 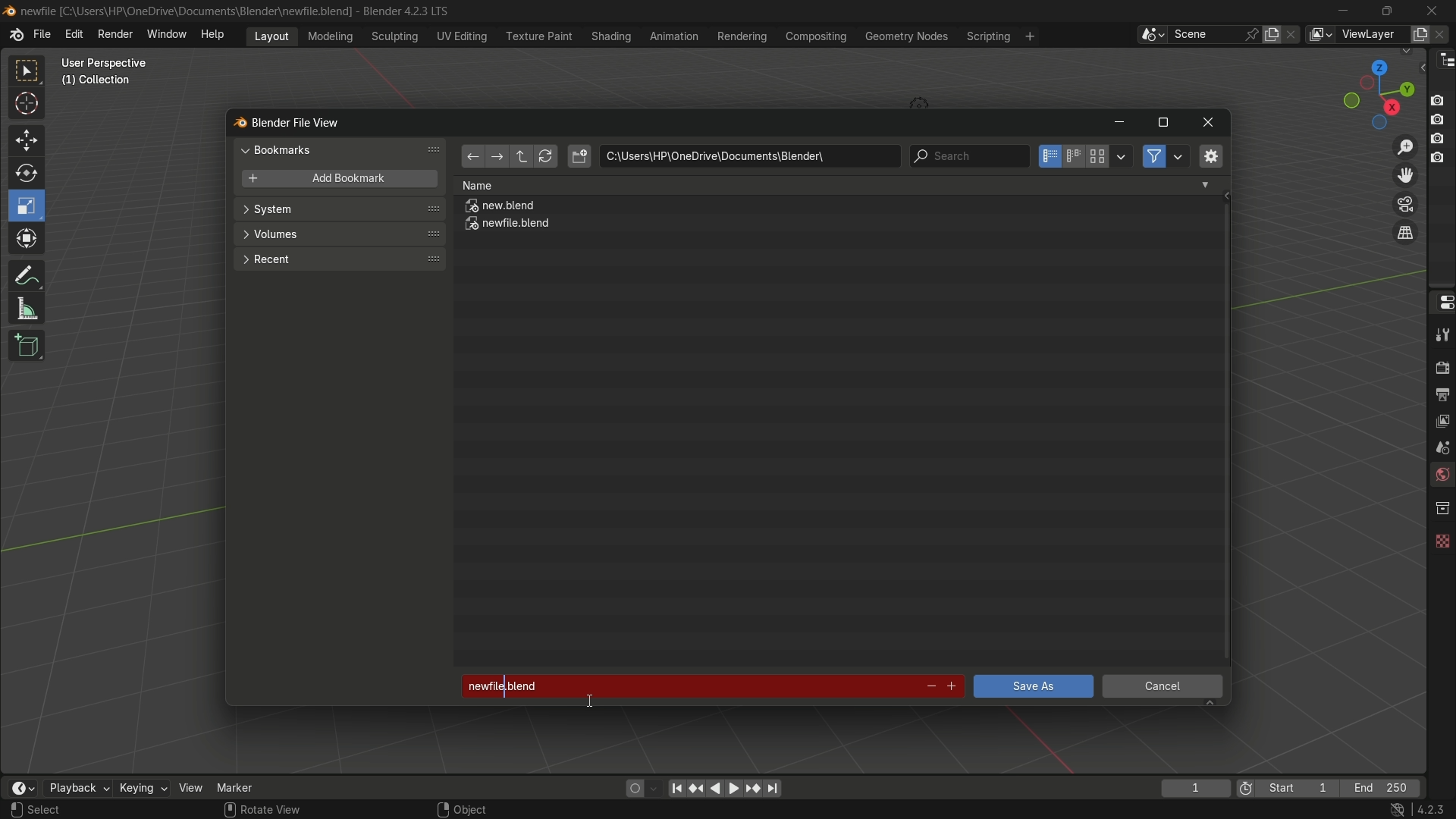 What do you see at coordinates (115, 33) in the screenshot?
I see `render menu` at bounding box center [115, 33].